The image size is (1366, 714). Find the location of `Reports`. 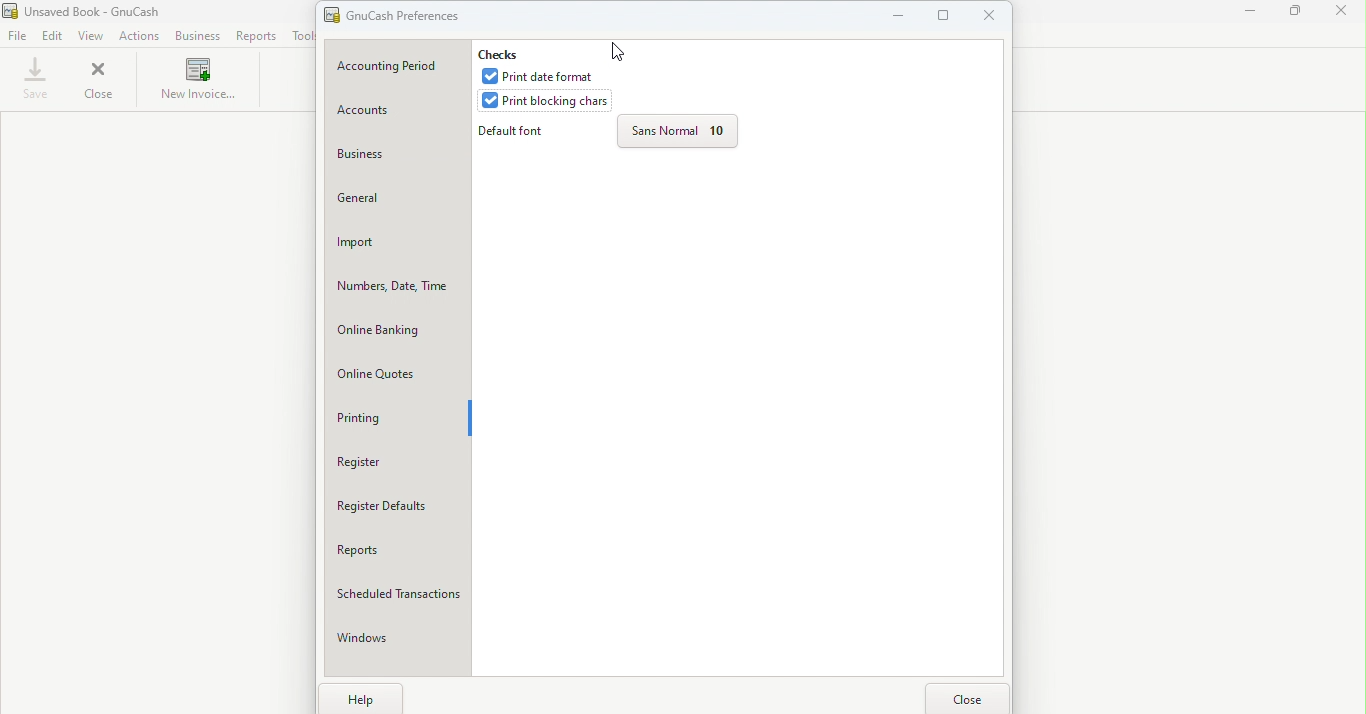

Reports is located at coordinates (400, 555).